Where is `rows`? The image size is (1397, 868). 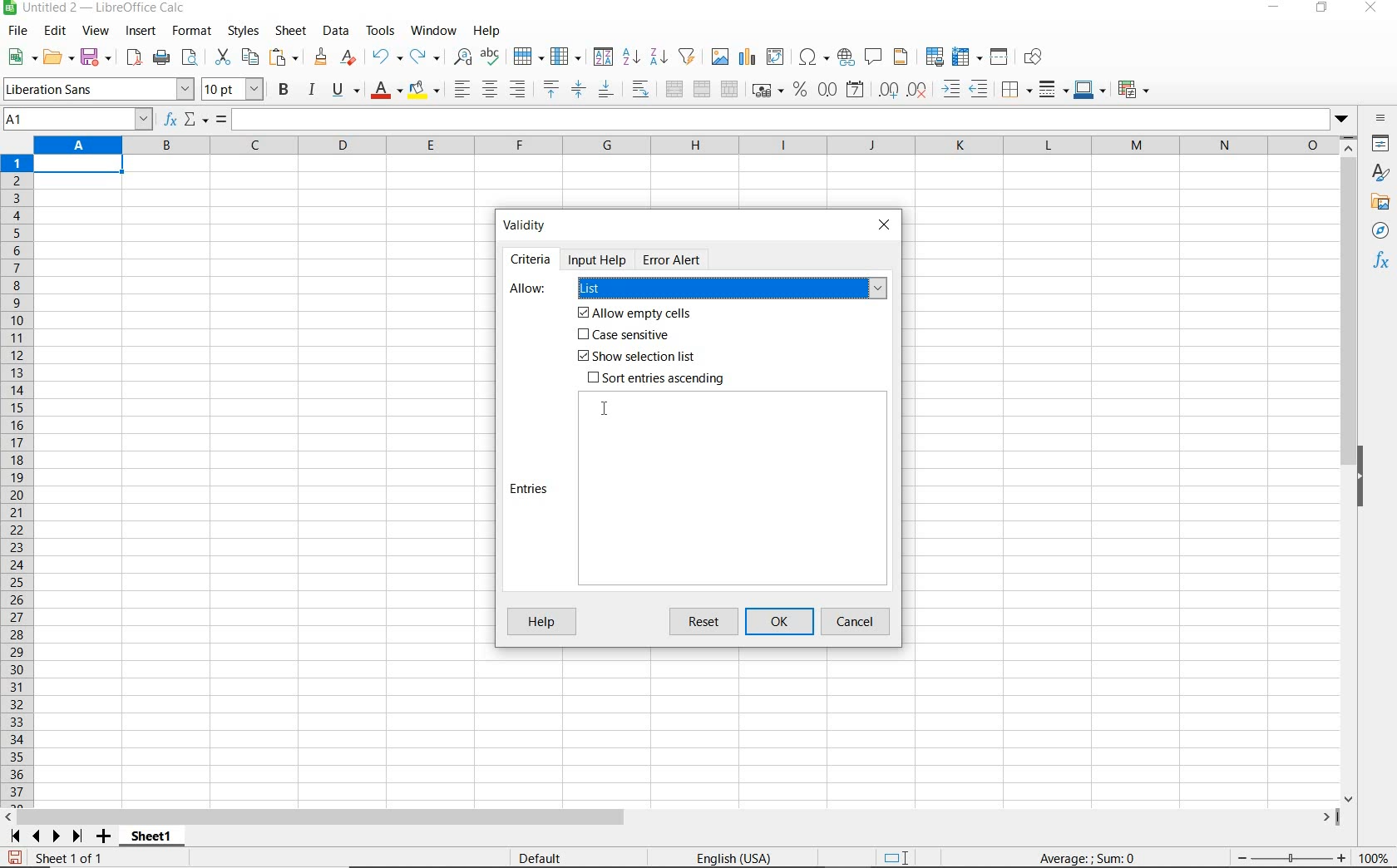 rows is located at coordinates (17, 481).